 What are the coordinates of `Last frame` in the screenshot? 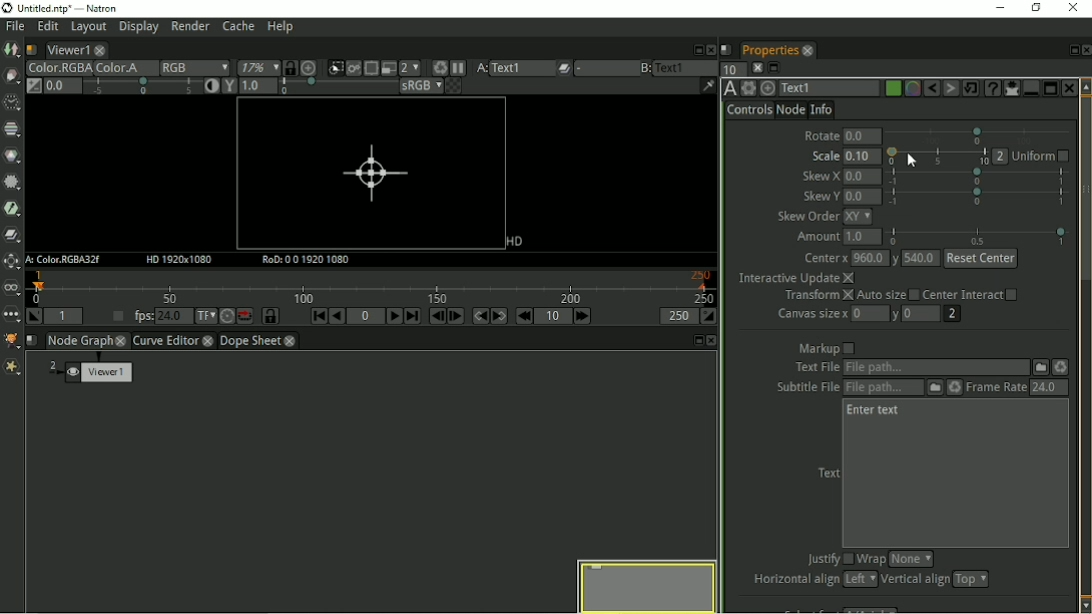 It's located at (413, 317).